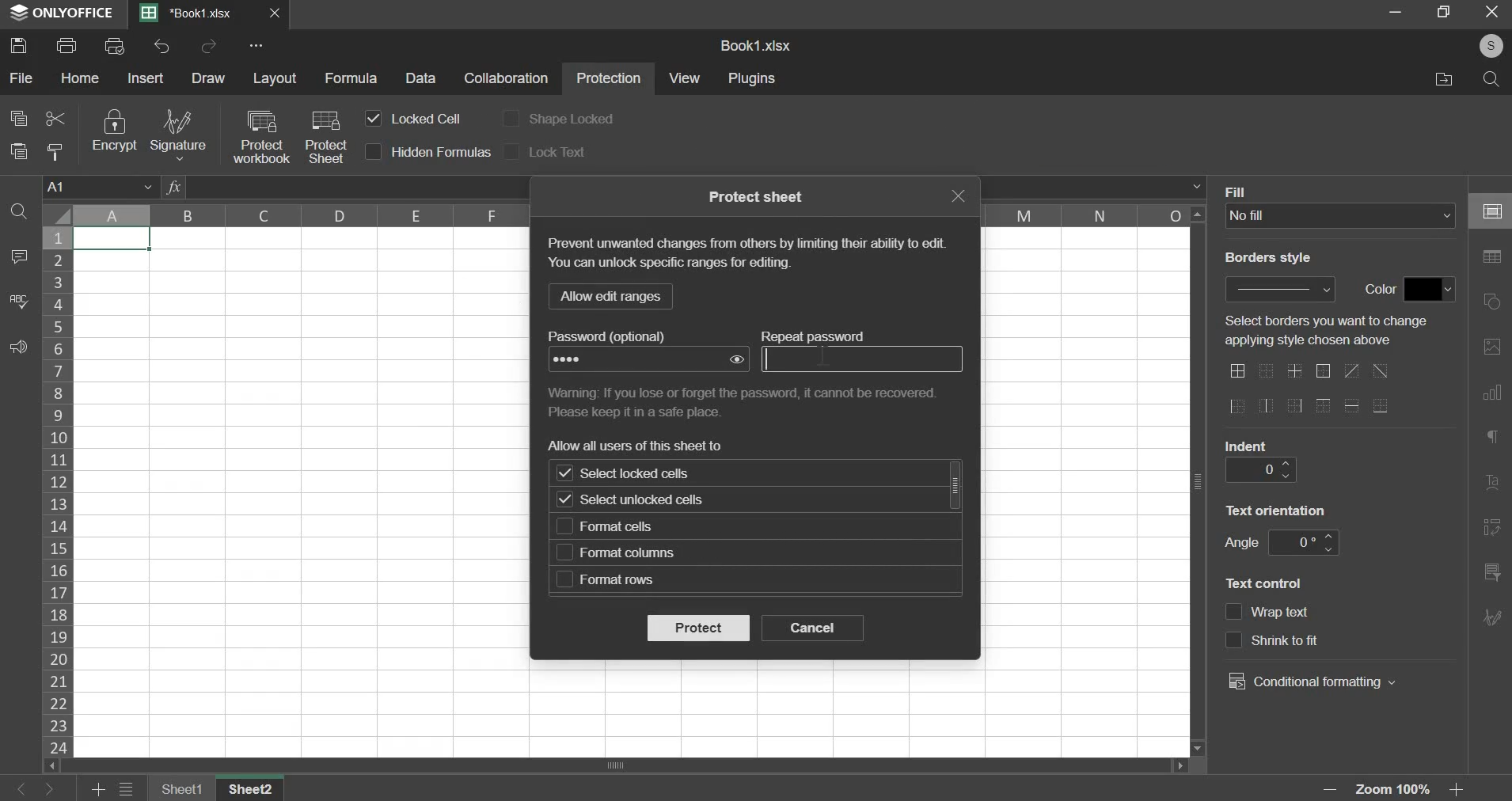 Image resolution: width=1512 pixels, height=801 pixels. Describe the element at coordinates (1239, 191) in the screenshot. I see `Fill` at that location.